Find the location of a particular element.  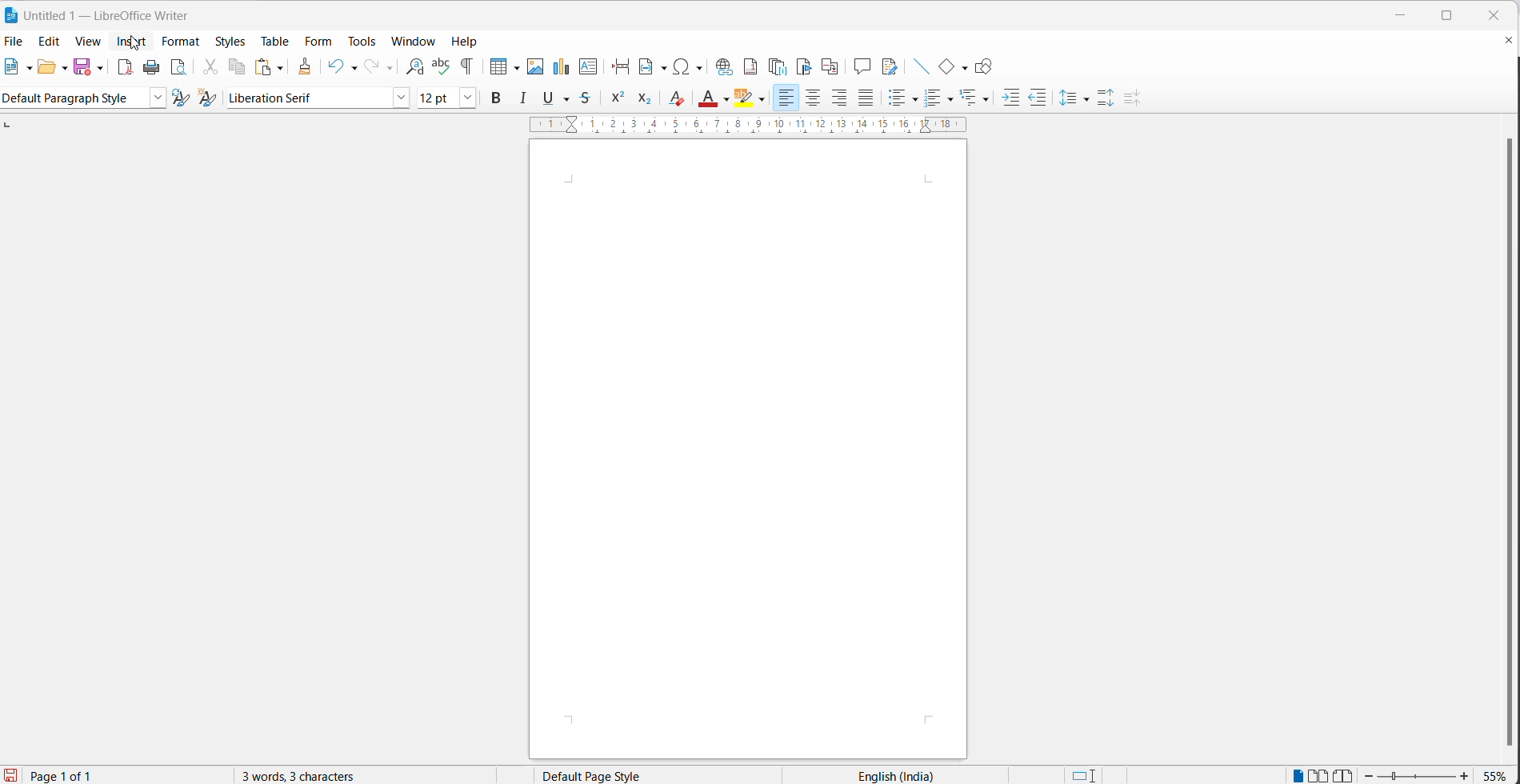

table is located at coordinates (275, 40).